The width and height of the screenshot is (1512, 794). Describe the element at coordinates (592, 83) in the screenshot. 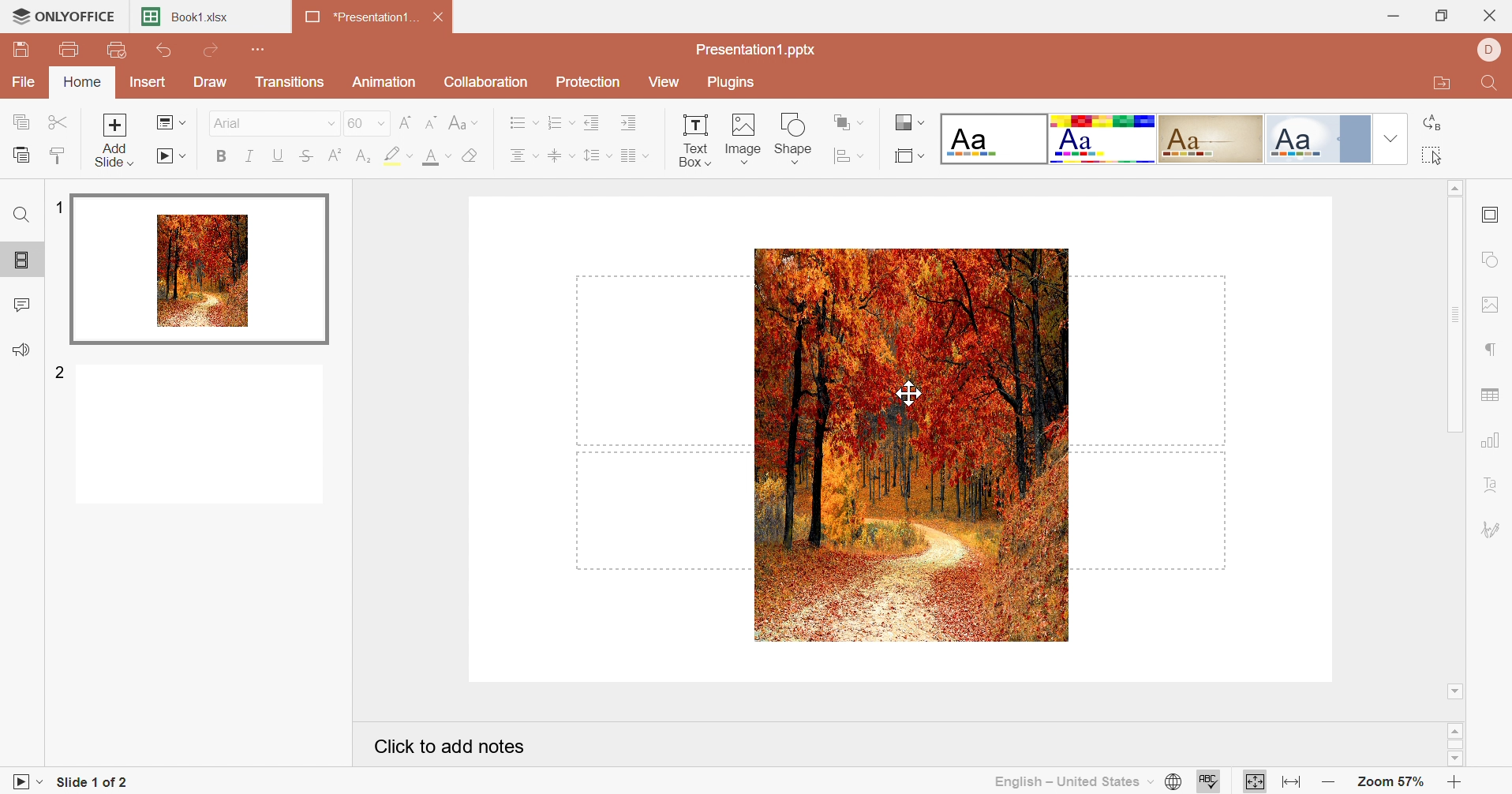

I see `Protection` at that location.